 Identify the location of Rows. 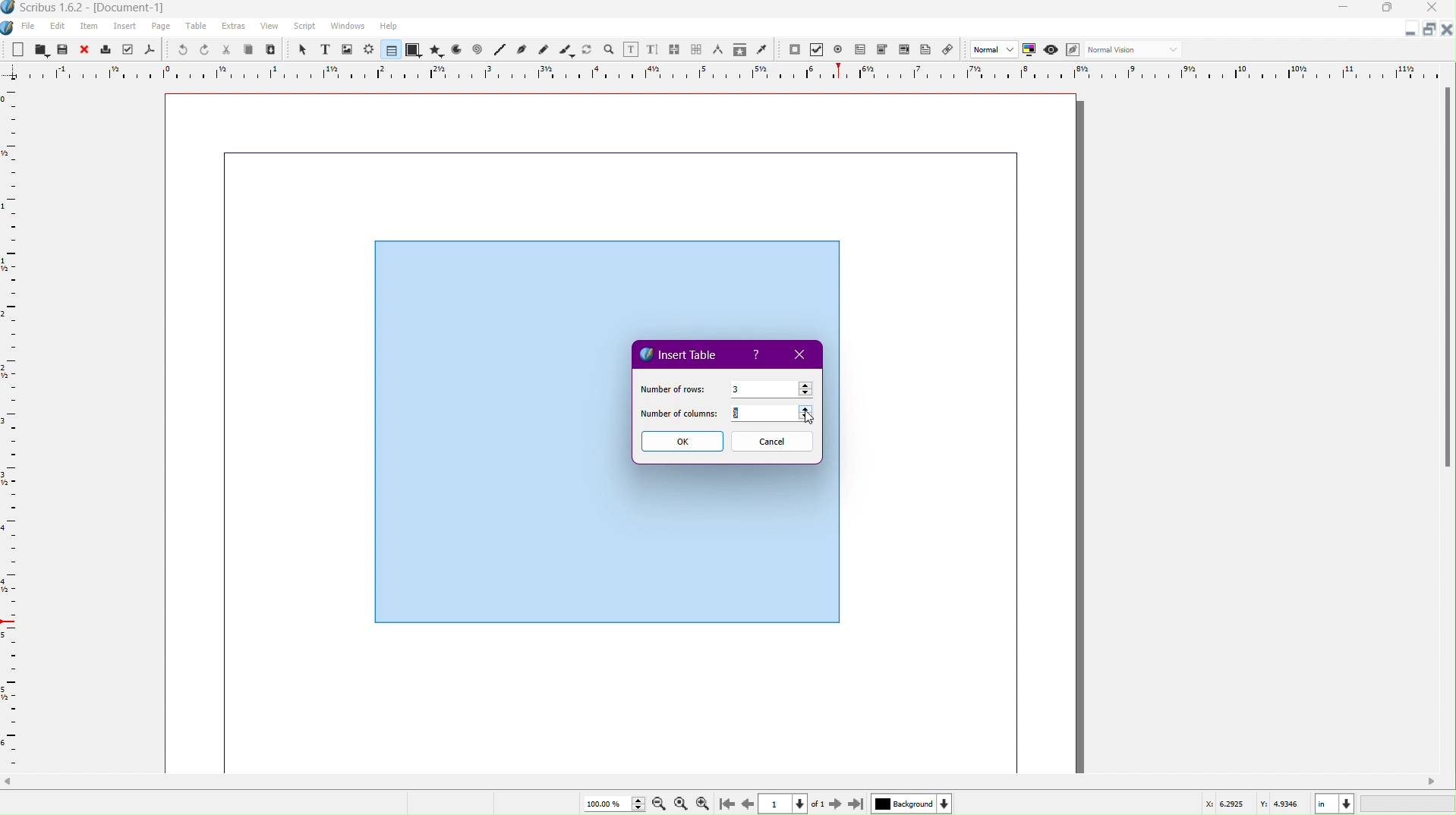
(771, 388).